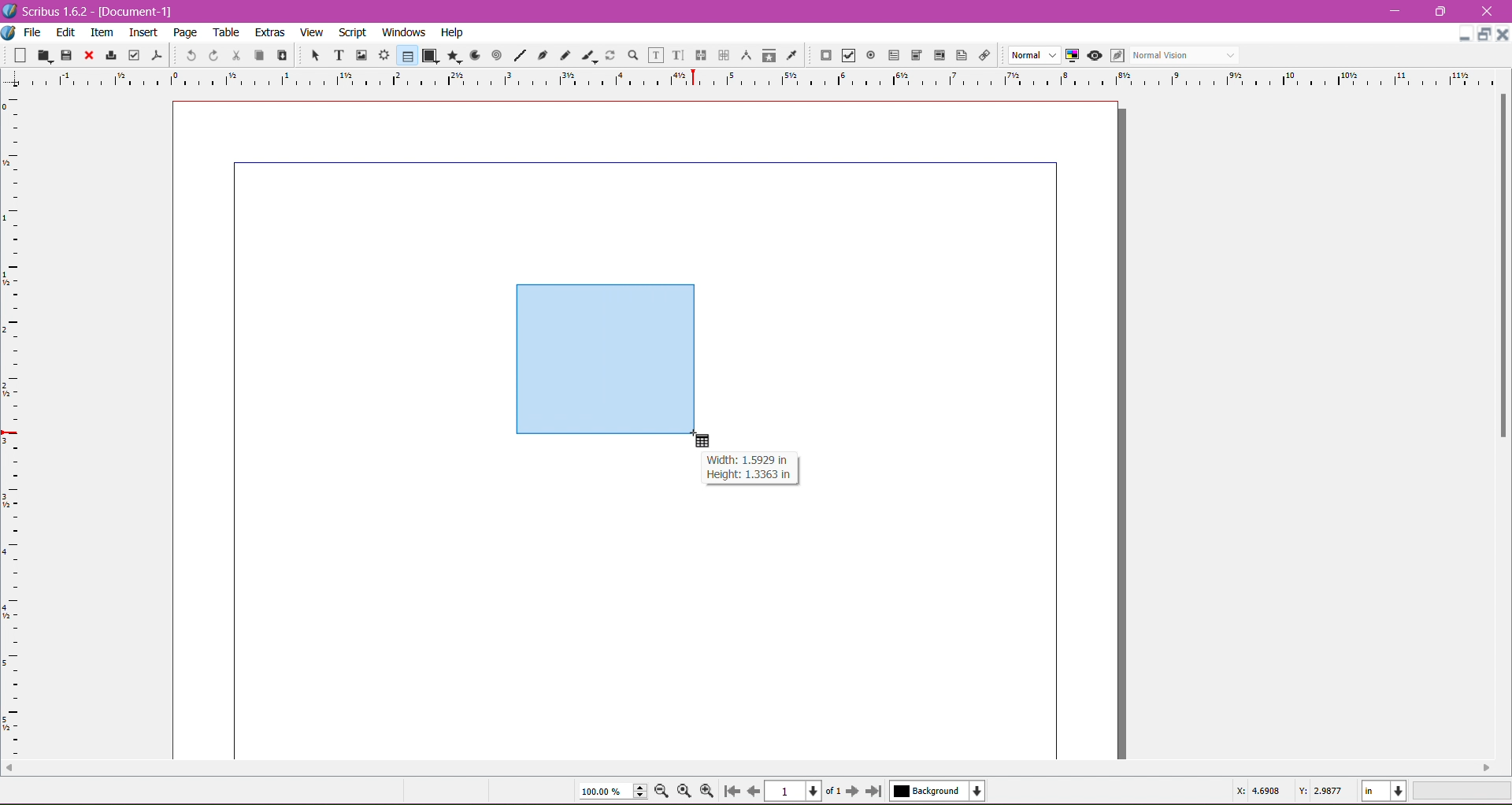  What do you see at coordinates (868, 57) in the screenshot?
I see `PDF Radio Button` at bounding box center [868, 57].